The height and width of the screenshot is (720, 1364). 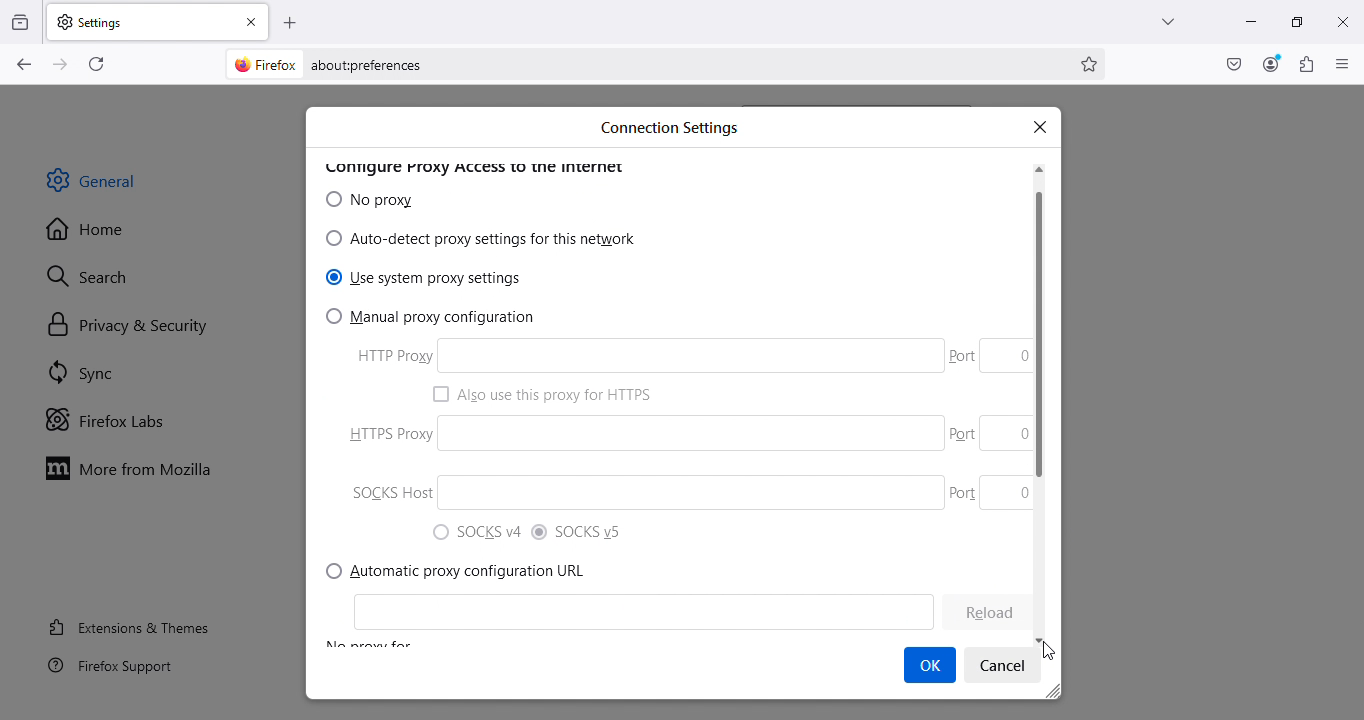 What do you see at coordinates (142, 21) in the screenshot?
I see `Settings` at bounding box center [142, 21].